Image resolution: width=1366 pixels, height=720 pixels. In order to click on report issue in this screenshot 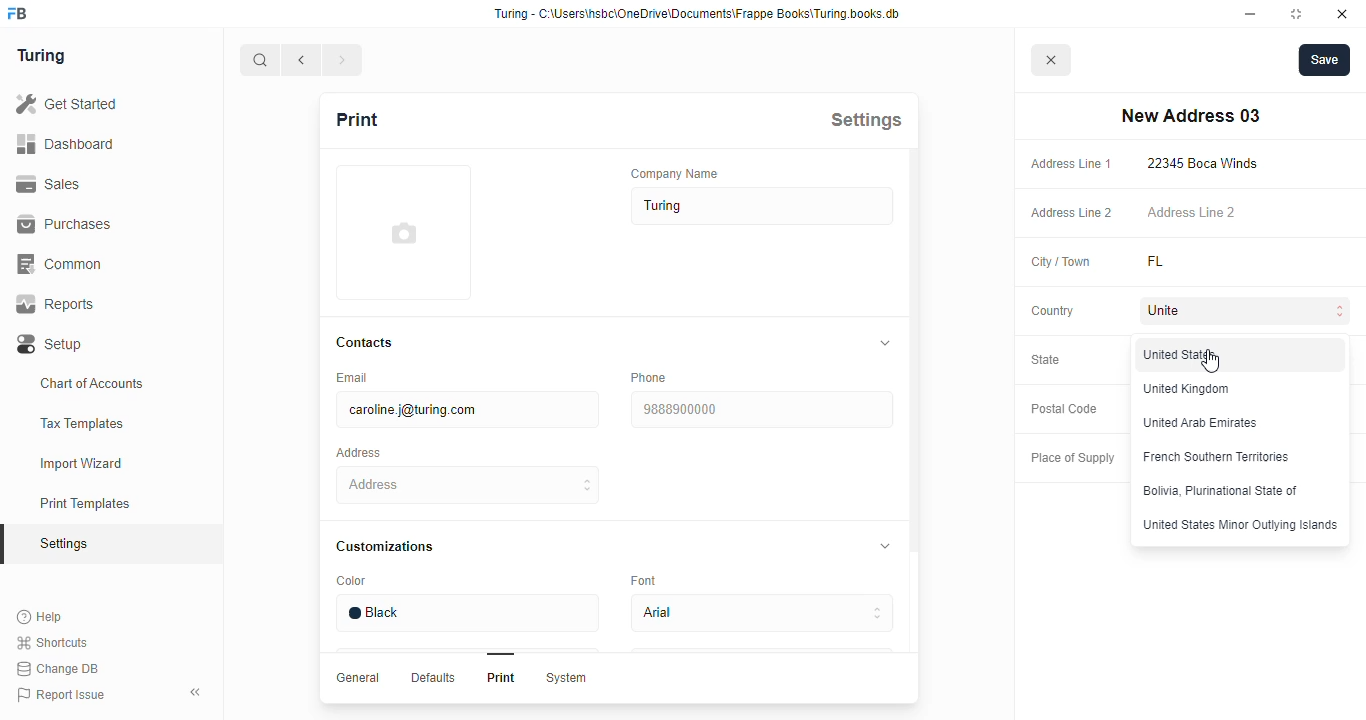, I will do `click(61, 695)`.